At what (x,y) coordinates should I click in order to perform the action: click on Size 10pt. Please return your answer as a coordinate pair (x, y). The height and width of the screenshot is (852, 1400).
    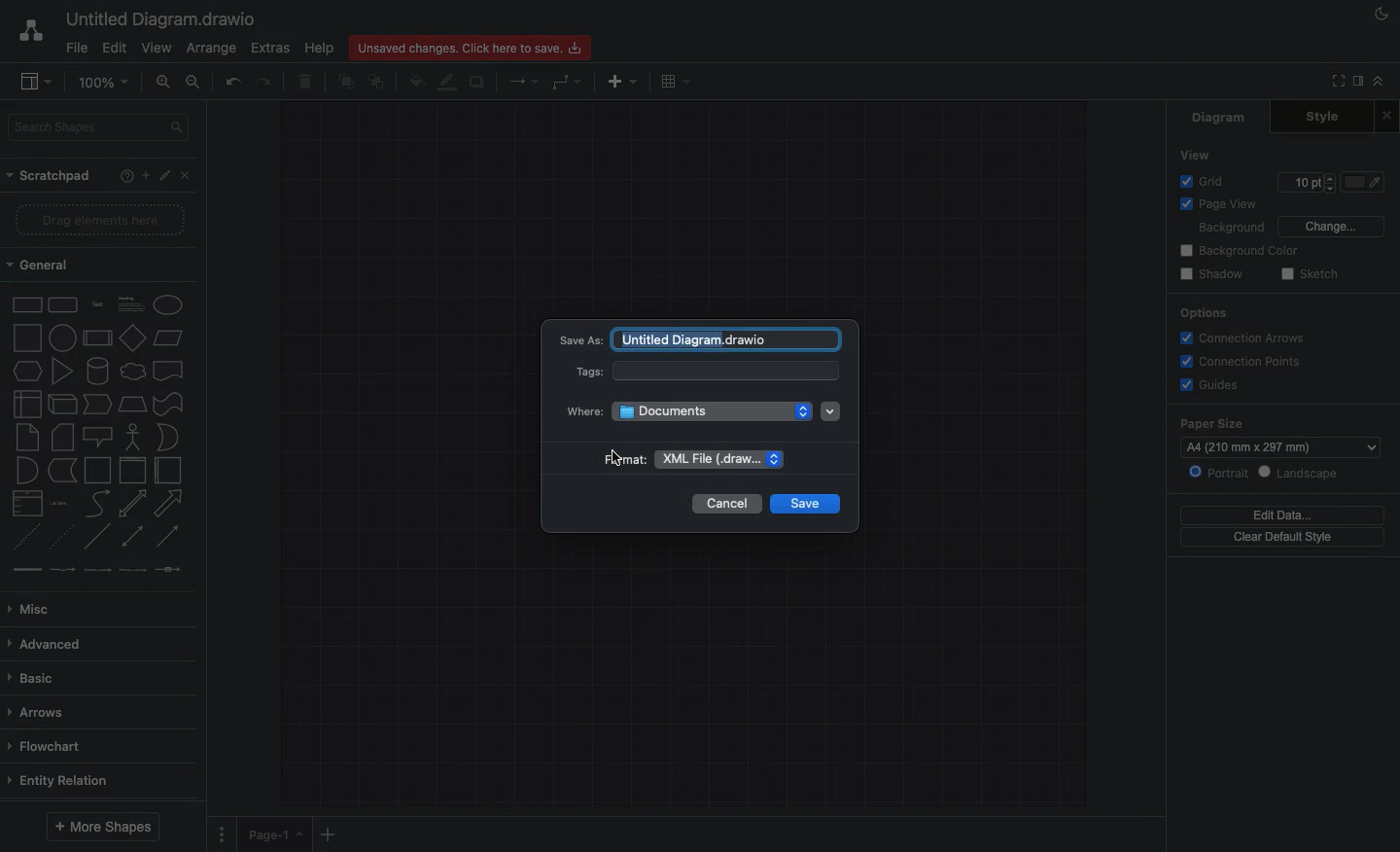
    Looking at the image, I should click on (1307, 183).